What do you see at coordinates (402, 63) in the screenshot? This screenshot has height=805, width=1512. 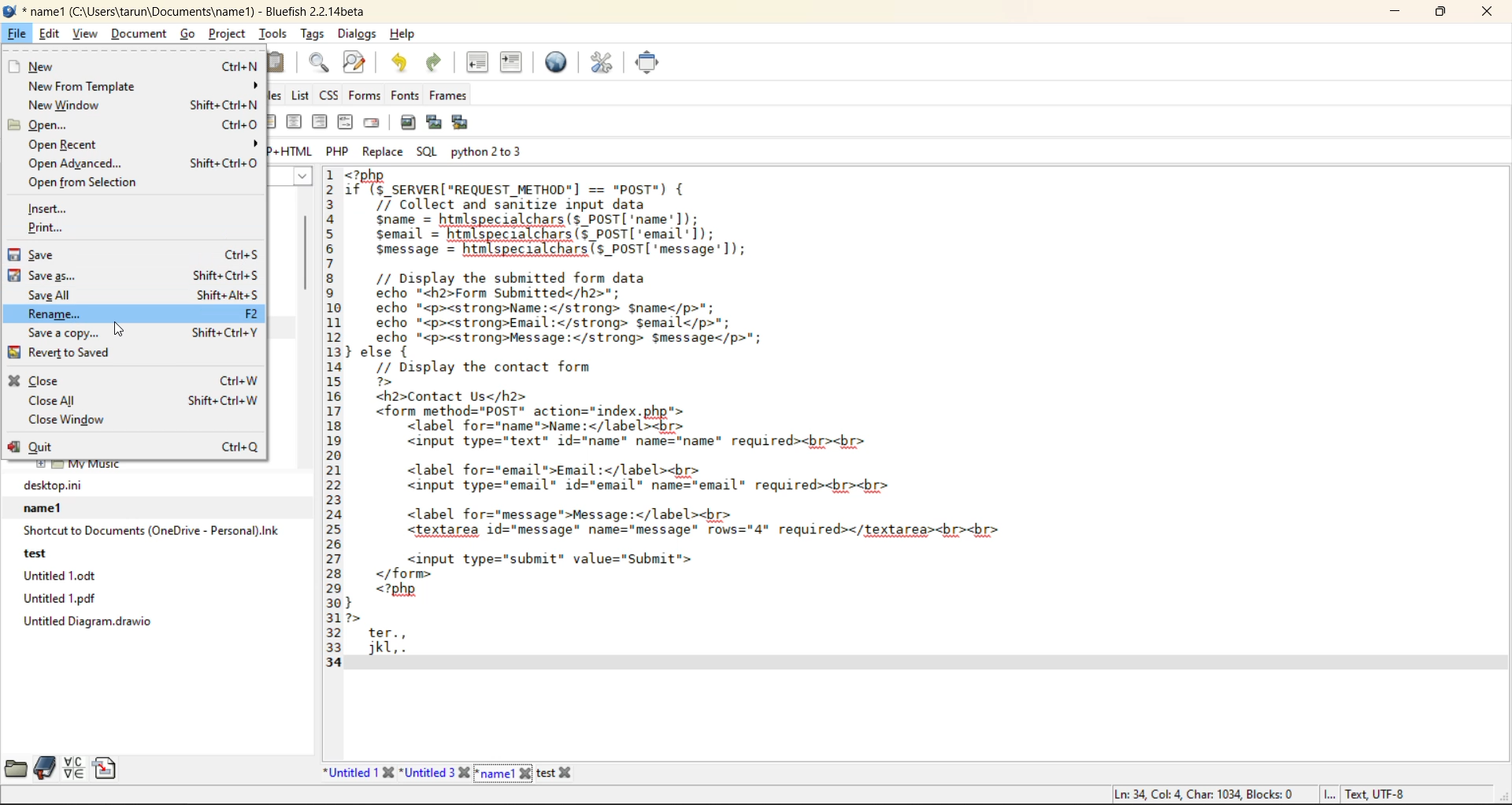 I see `undo` at bounding box center [402, 63].